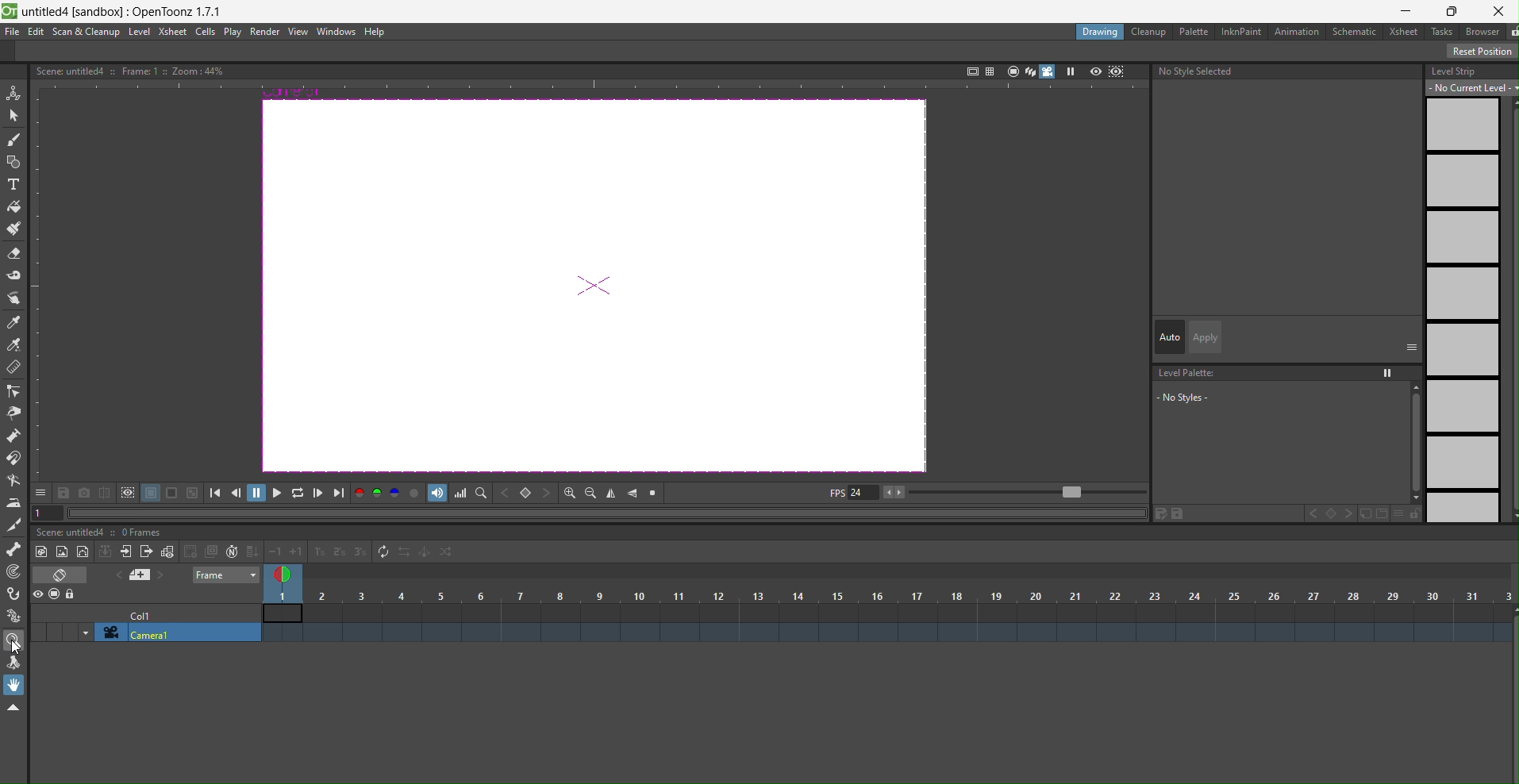 The height and width of the screenshot is (784, 1519). What do you see at coordinates (13, 229) in the screenshot?
I see `paint brush tool` at bounding box center [13, 229].